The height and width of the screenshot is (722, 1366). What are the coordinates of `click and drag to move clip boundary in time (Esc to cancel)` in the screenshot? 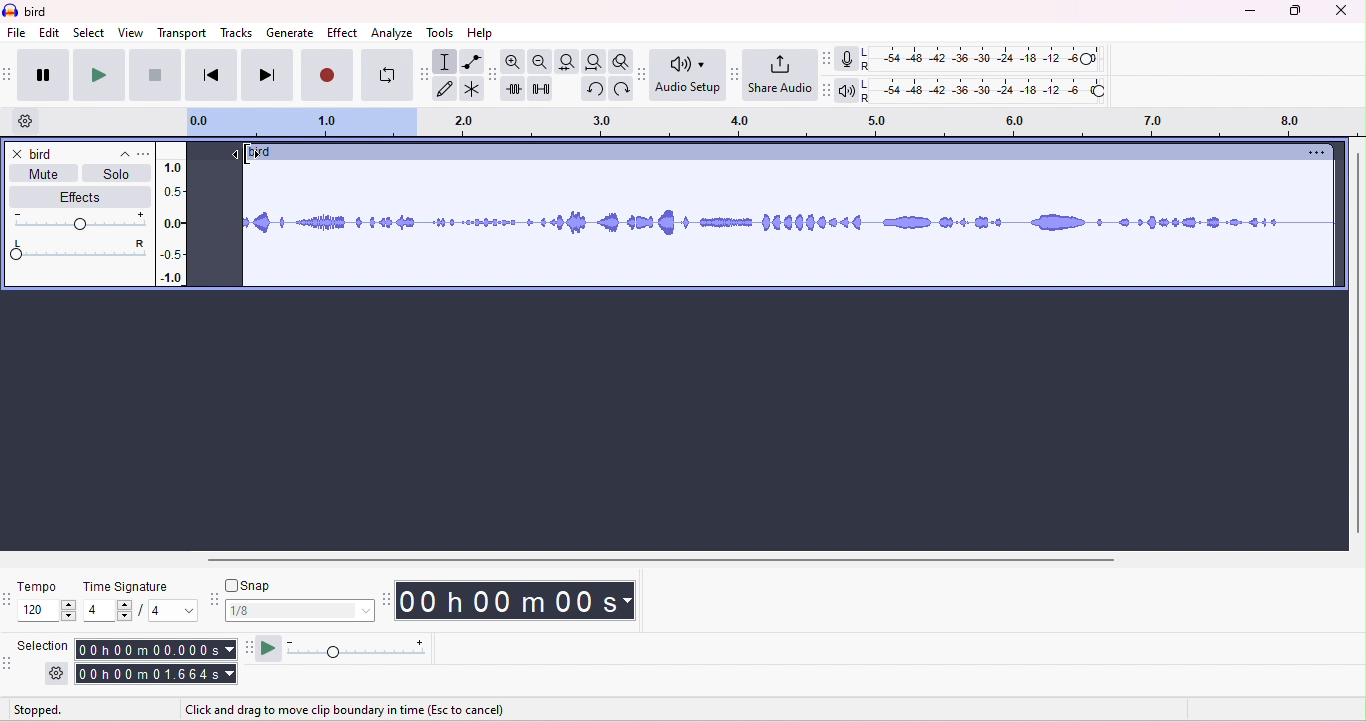 It's located at (352, 710).